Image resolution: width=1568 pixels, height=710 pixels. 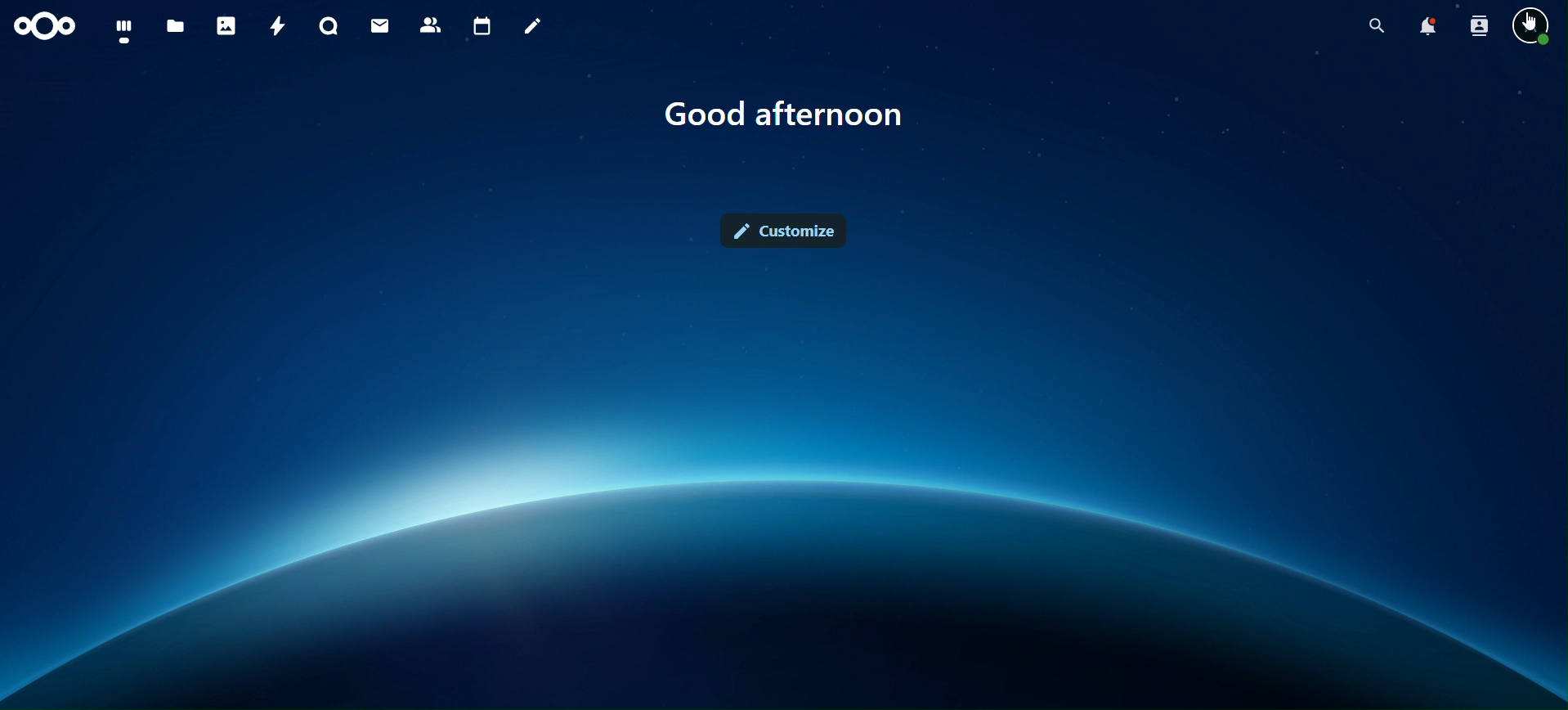 I want to click on mail, so click(x=379, y=26).